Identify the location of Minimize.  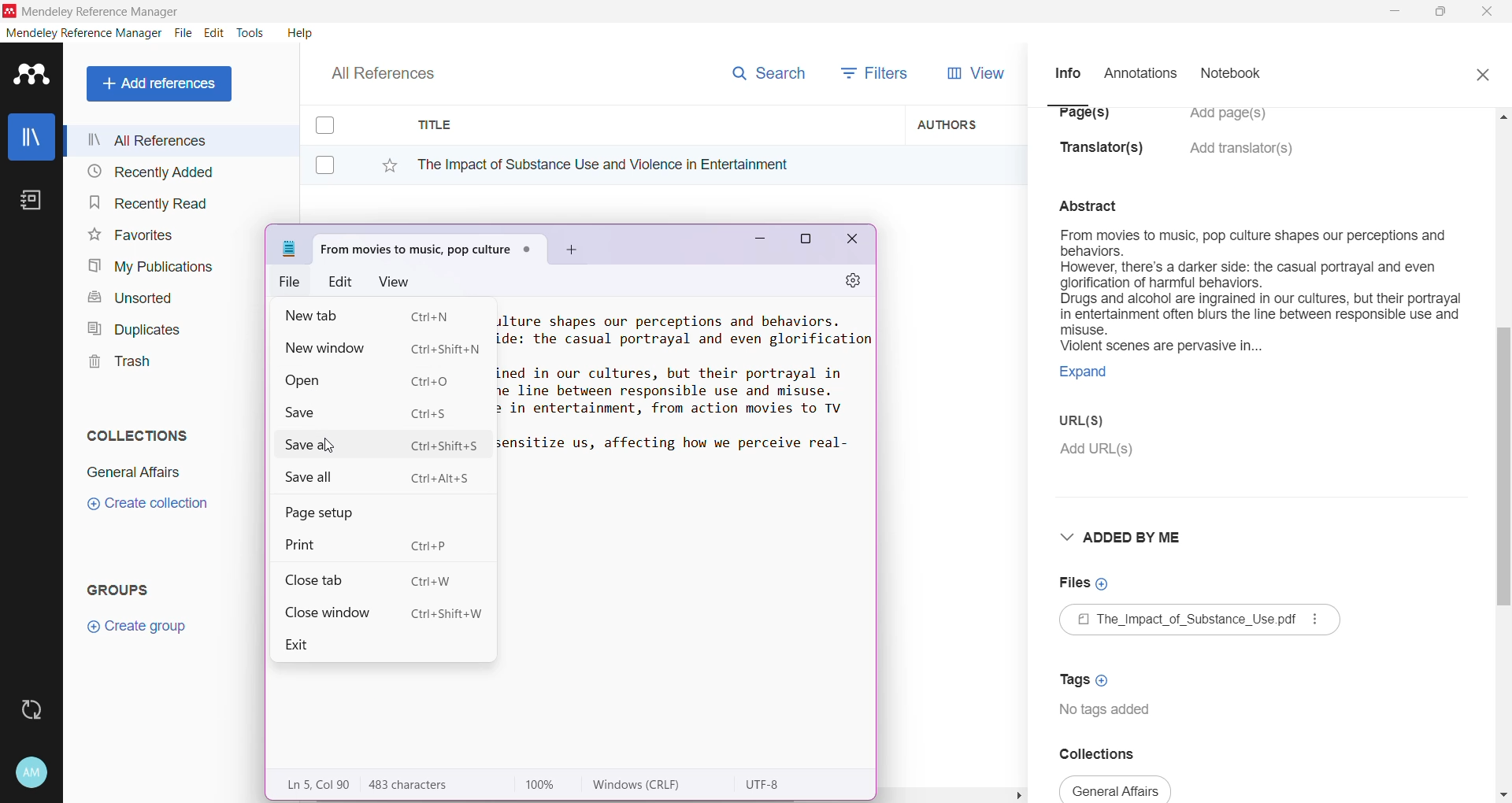
(1395, 12).